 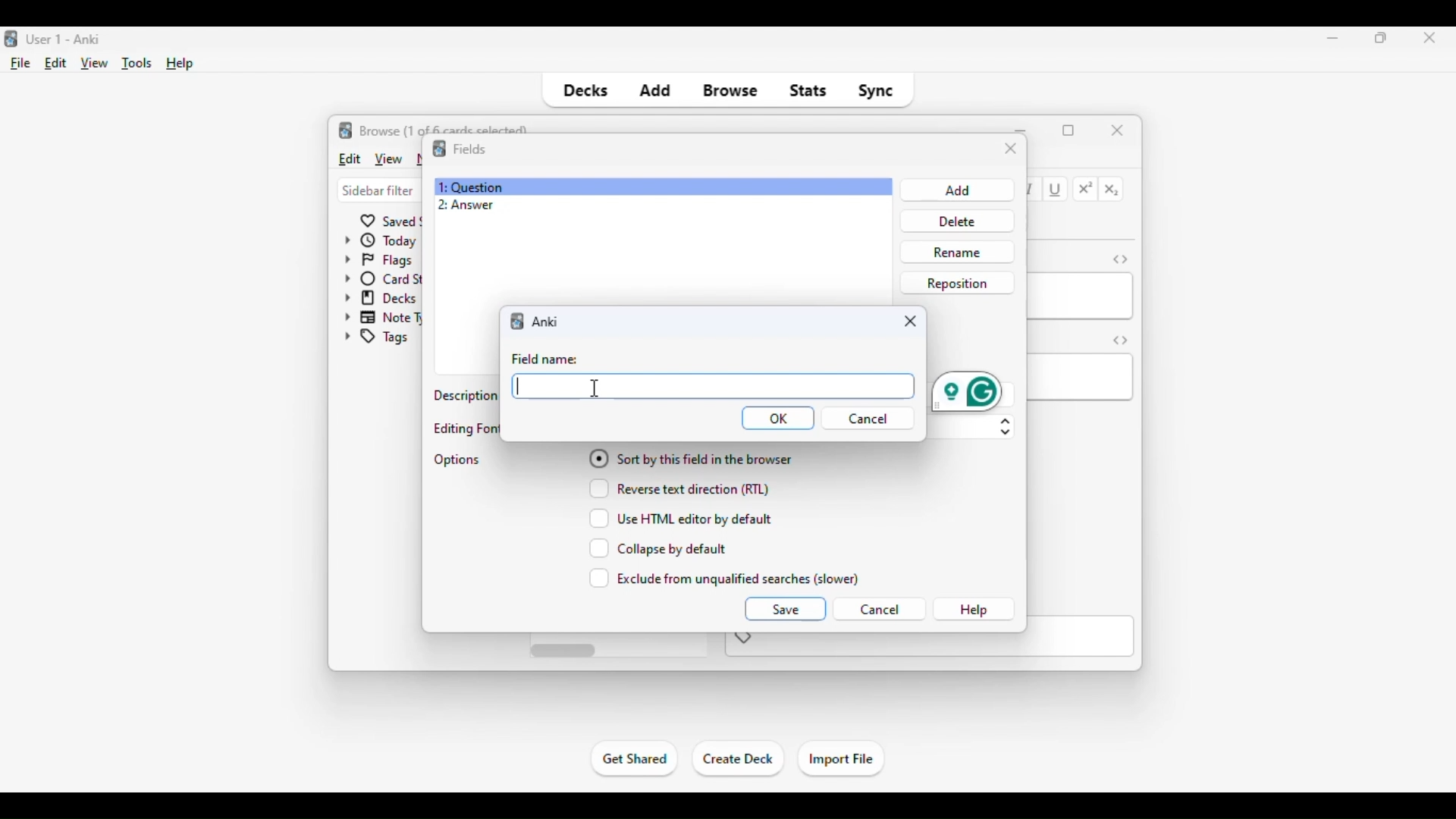 What do you see at coordinates (778, 419) in the screenshot?
I see `OK` at bounding box center [778, 419].